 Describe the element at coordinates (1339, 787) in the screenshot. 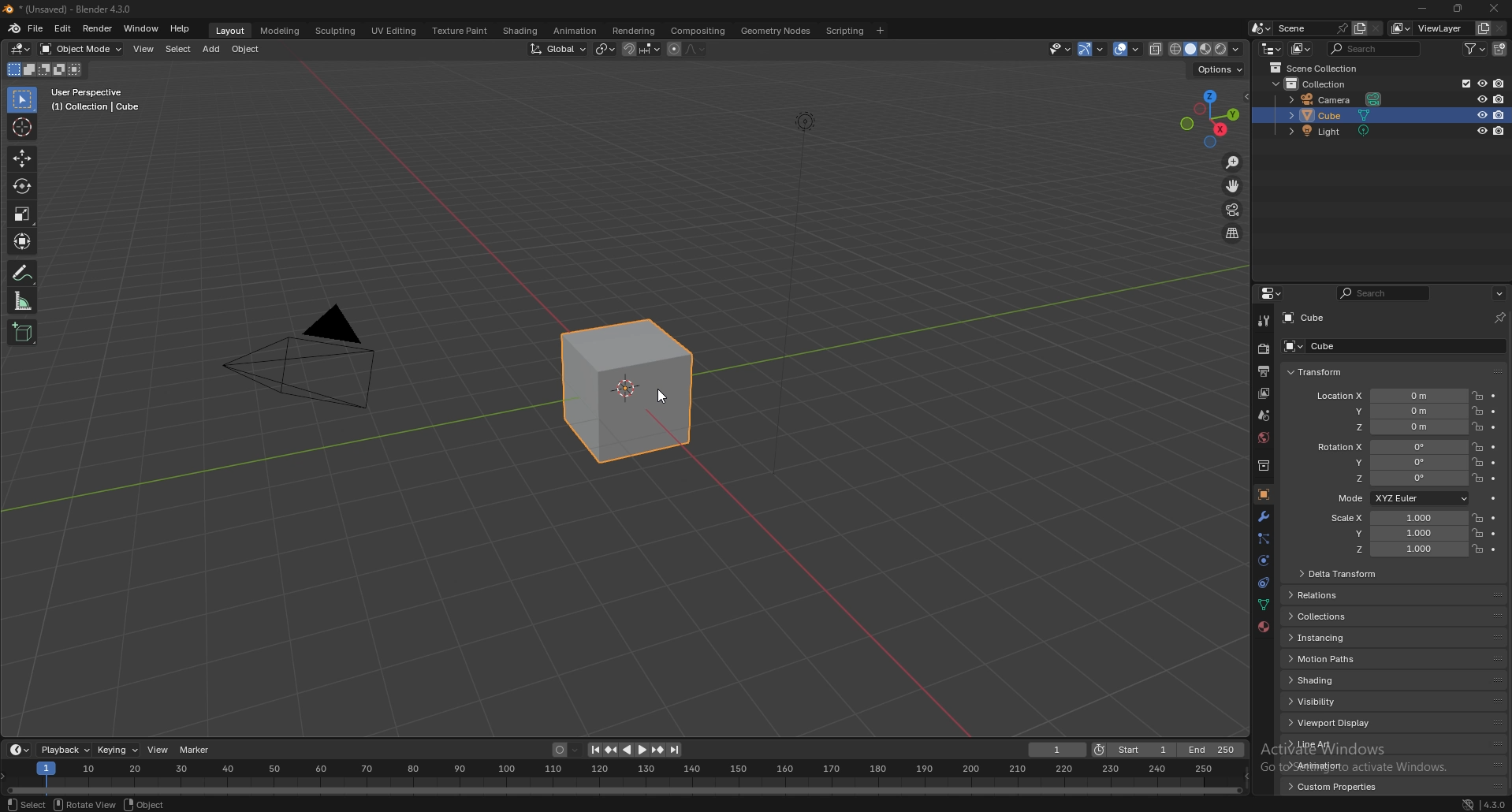

I see `custom properties` at that location.